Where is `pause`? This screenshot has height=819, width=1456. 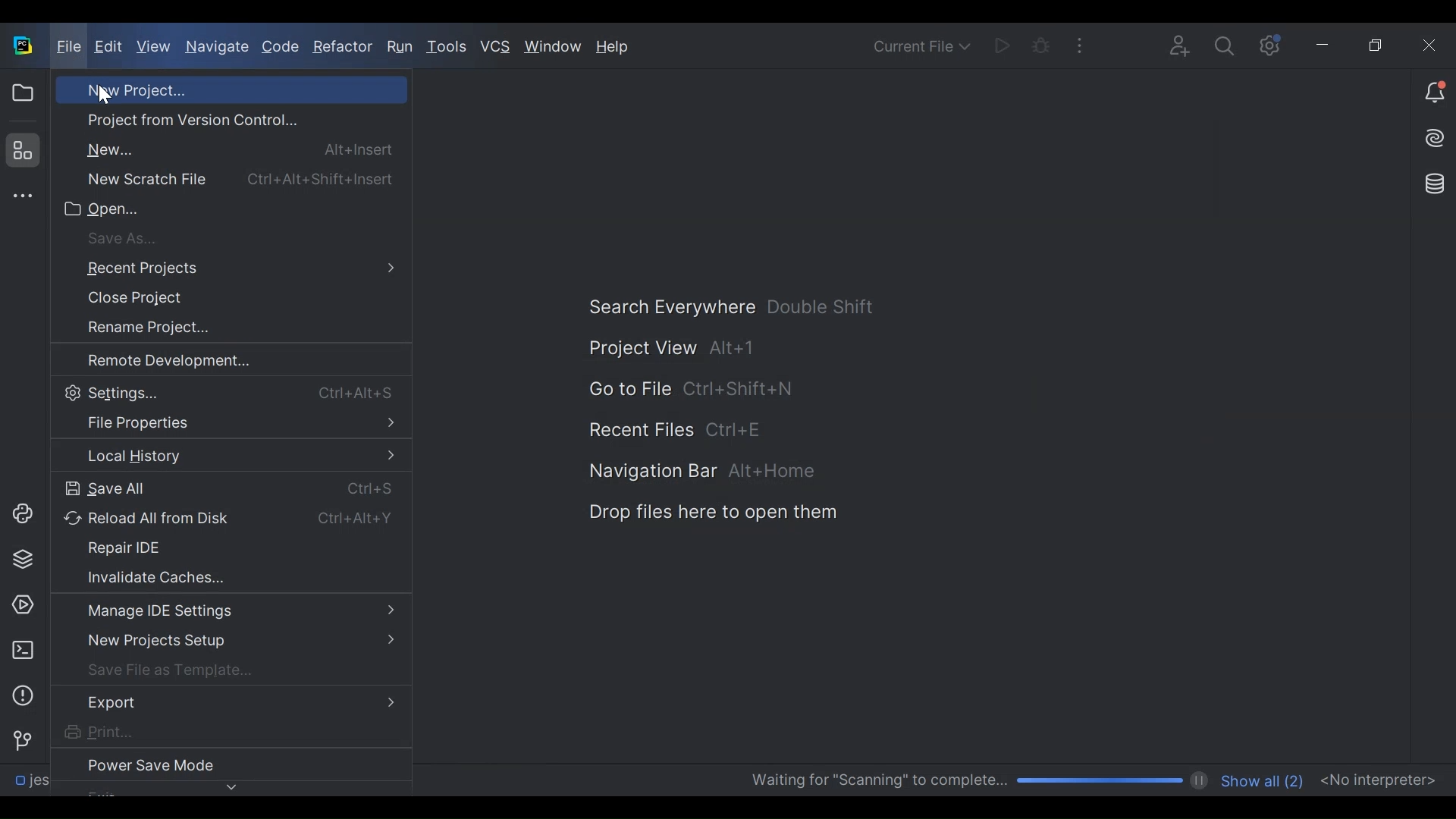 pause is located at coordinates (1200, 781).